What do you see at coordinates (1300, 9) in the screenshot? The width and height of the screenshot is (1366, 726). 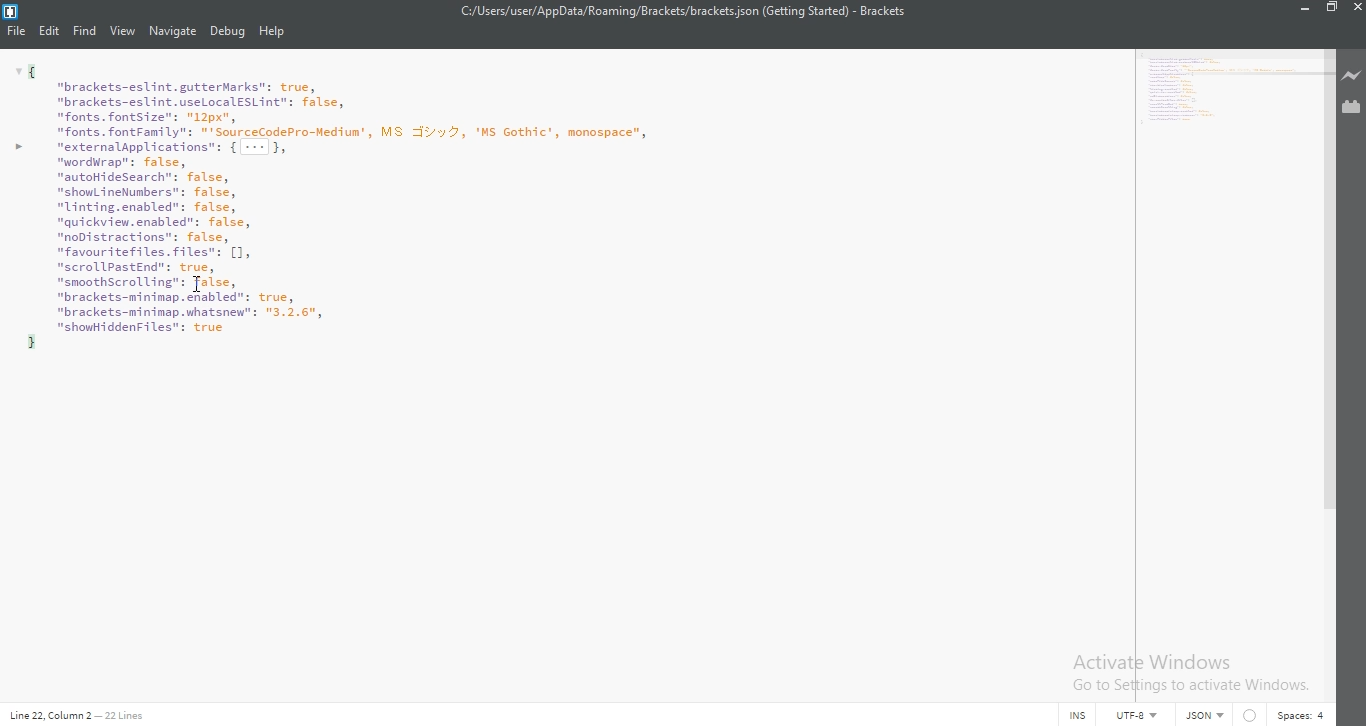 I see `Minimize` at bounding box center [1300, 9].